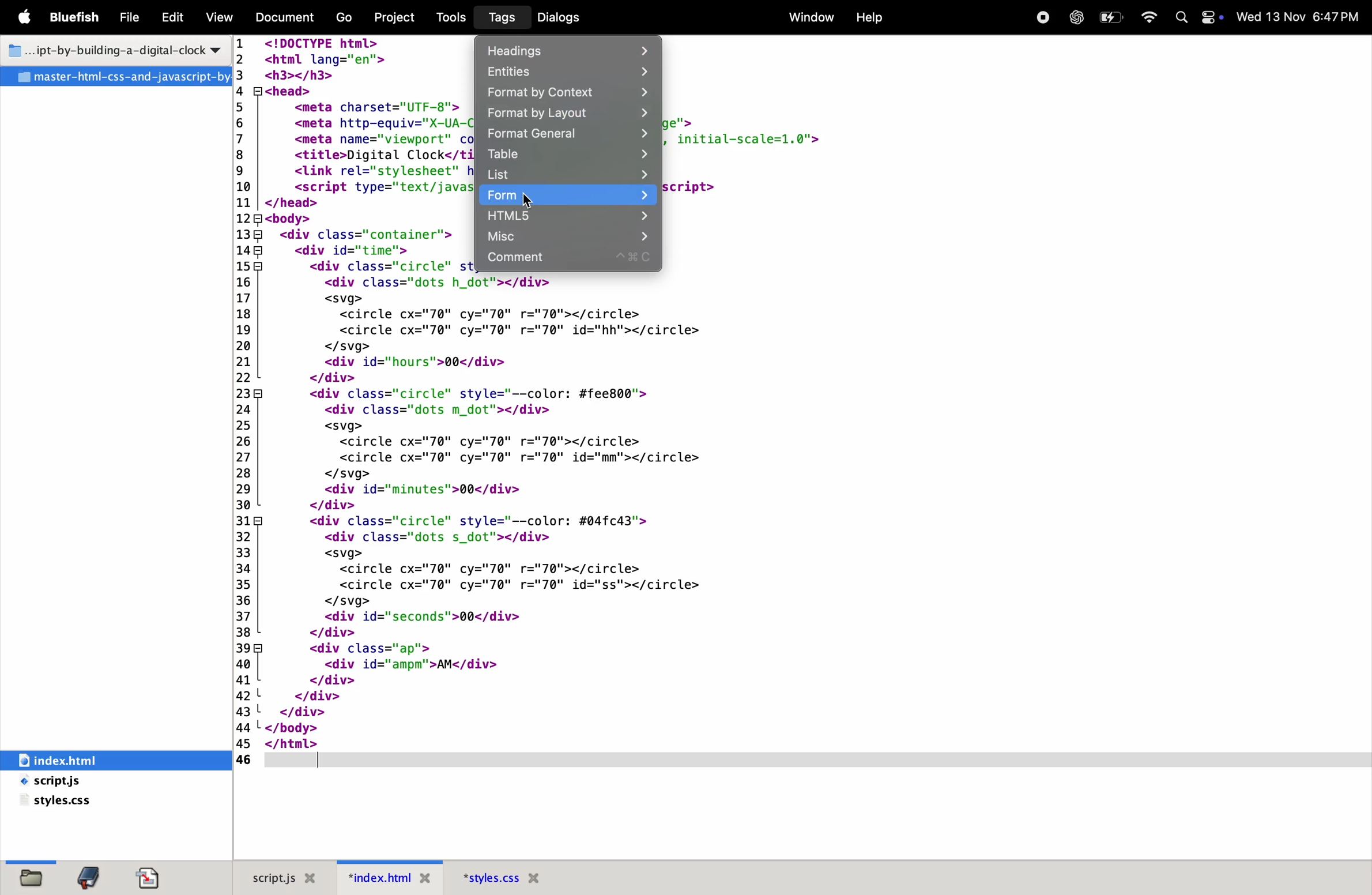 Image resolution: width=1372 pixels, height=895 pixels. Describe the element at coordinates (1076, 16) in the screenshot. I see `chatGpt` at that location.